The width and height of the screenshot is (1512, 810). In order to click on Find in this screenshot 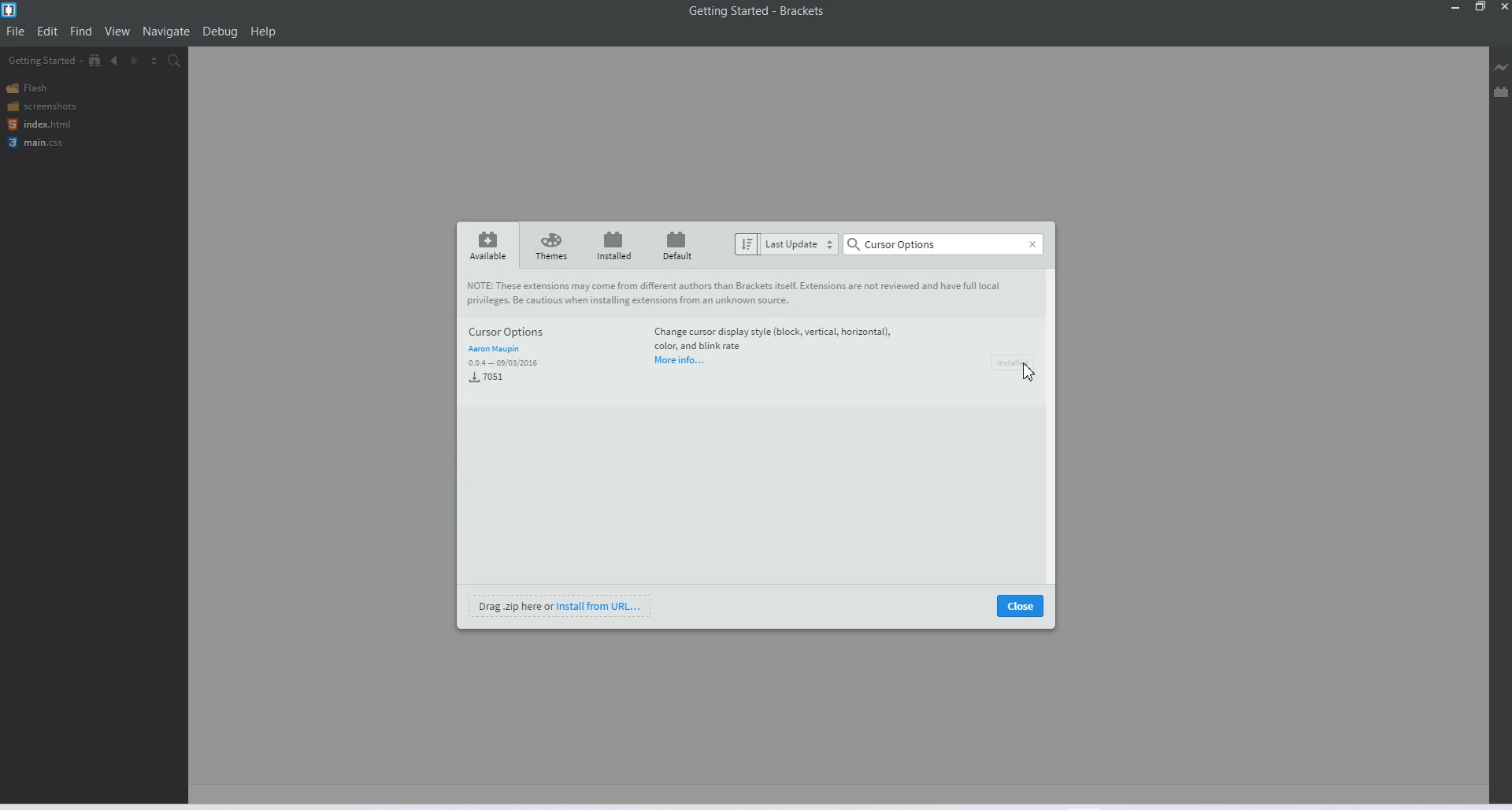, I will do `click(82, 30)`.